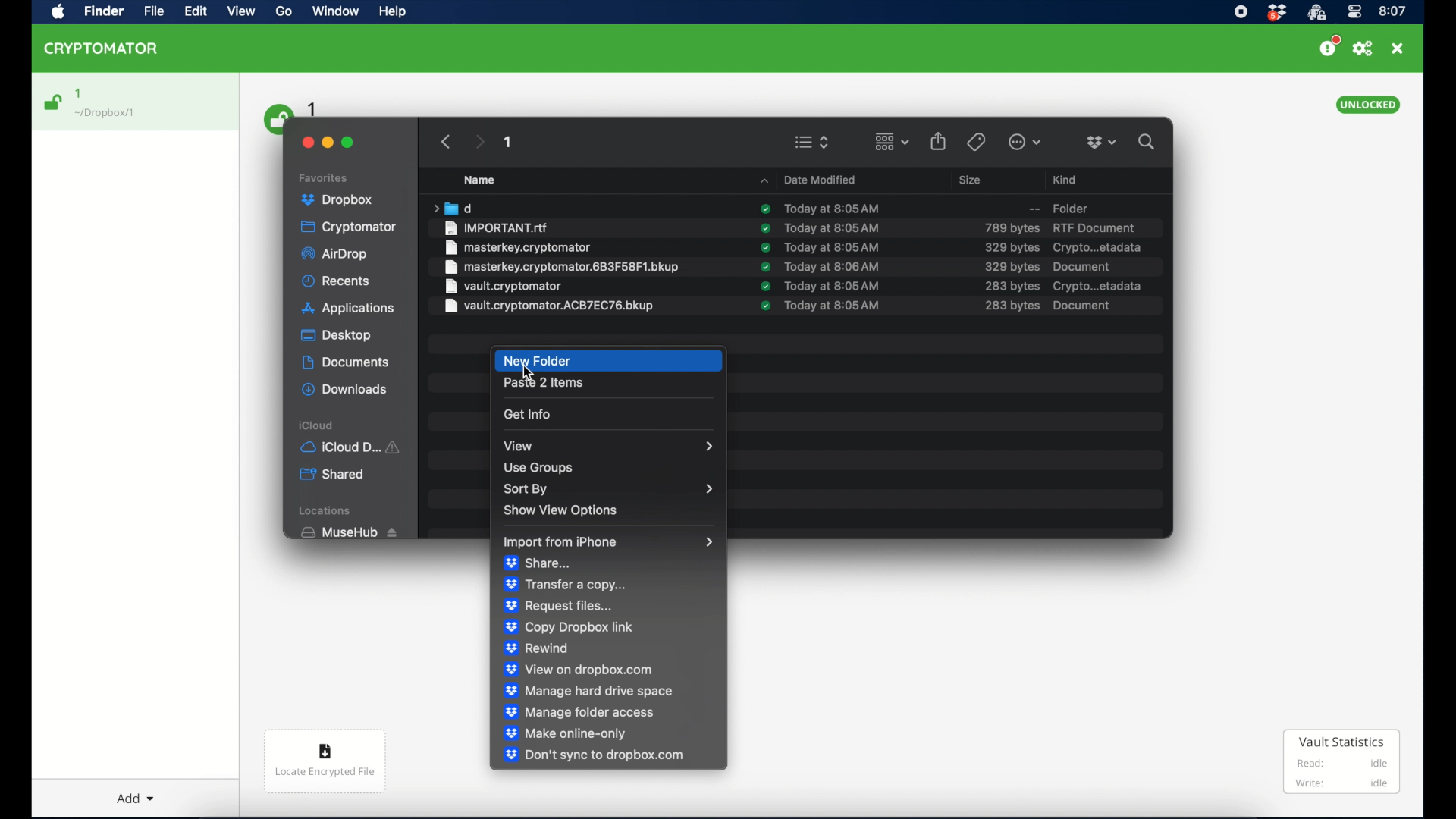 This screenshot has height=819, width=1456. What do you see at coordinates (1101, 143) in the screenshot?
I see `dropboxdropdown` at bounding box center [1101, 143].